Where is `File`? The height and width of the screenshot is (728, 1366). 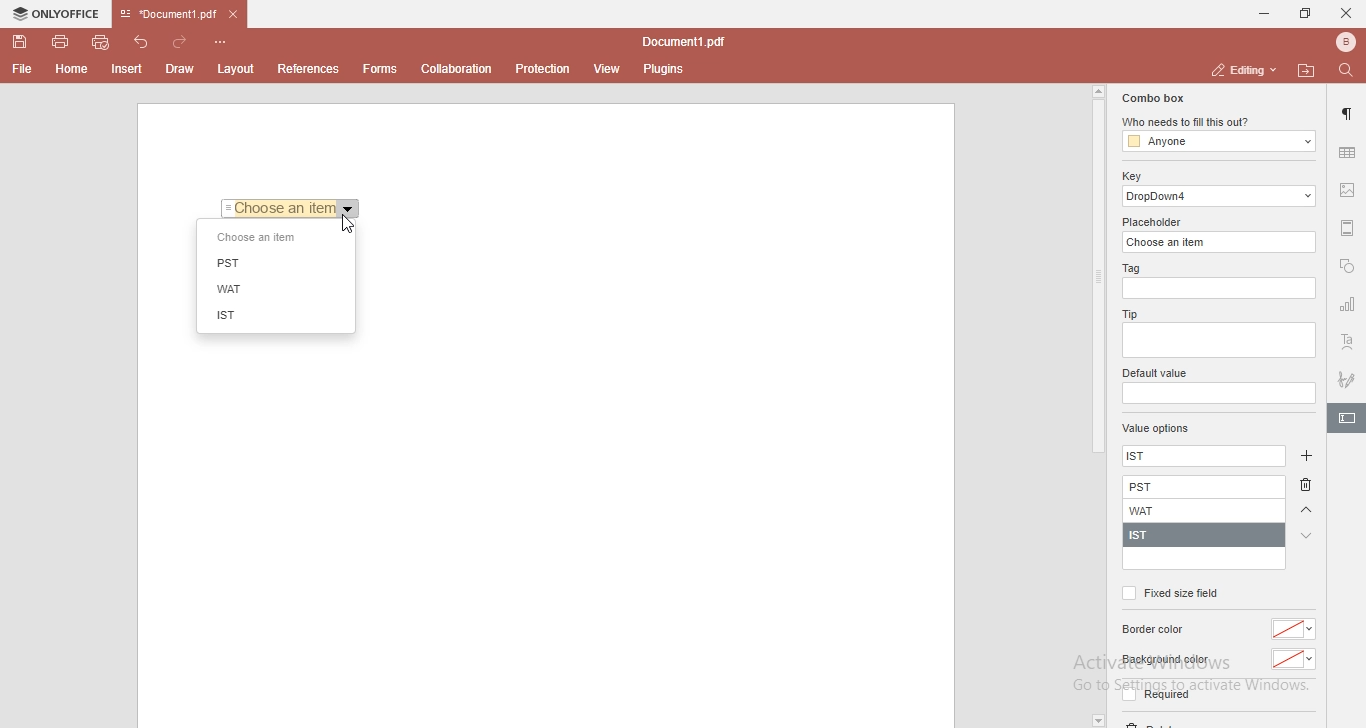 File is located at coordinates (20, 69).